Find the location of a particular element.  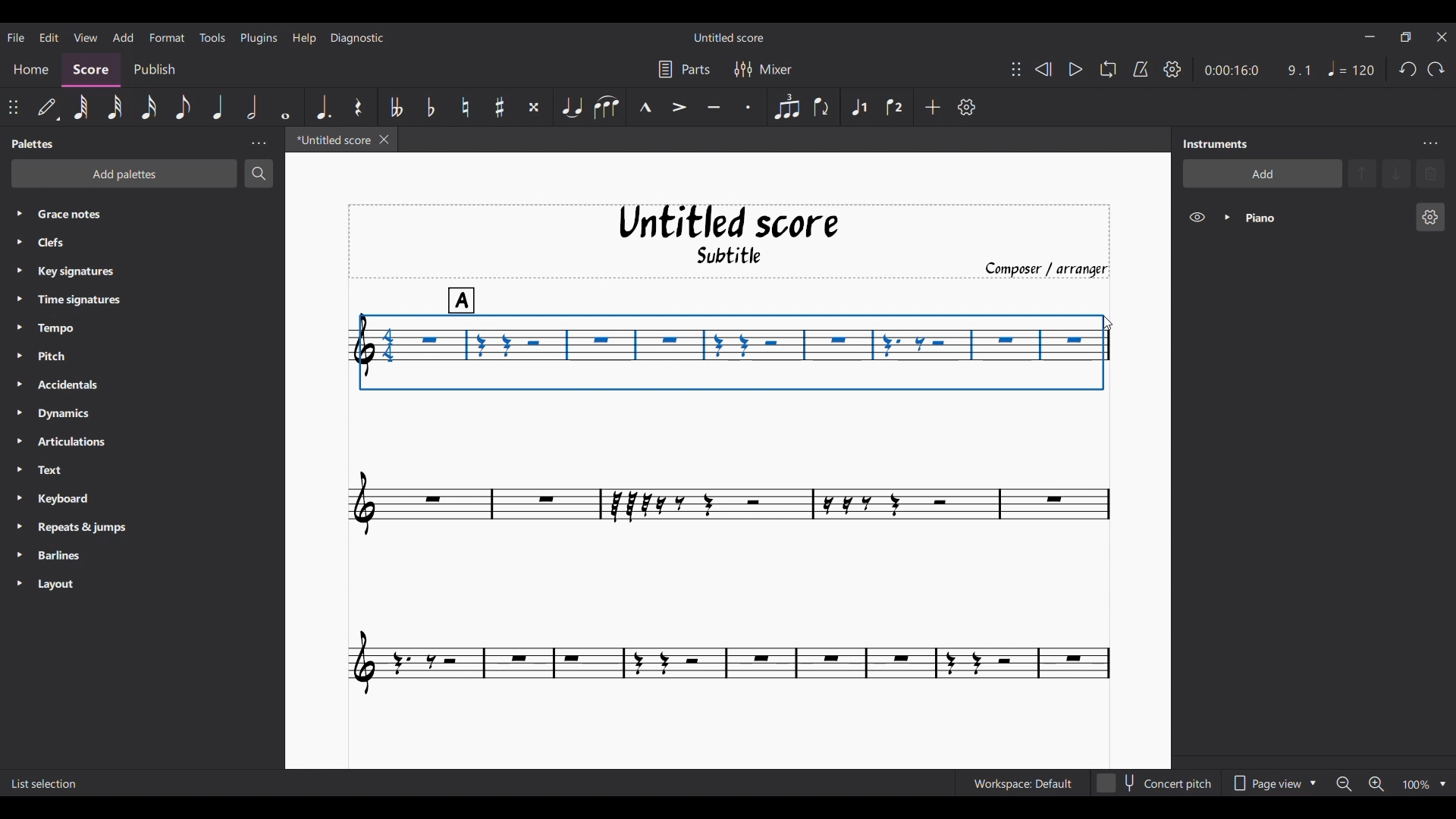

Plugins menu is located at coordinates (260, 37).